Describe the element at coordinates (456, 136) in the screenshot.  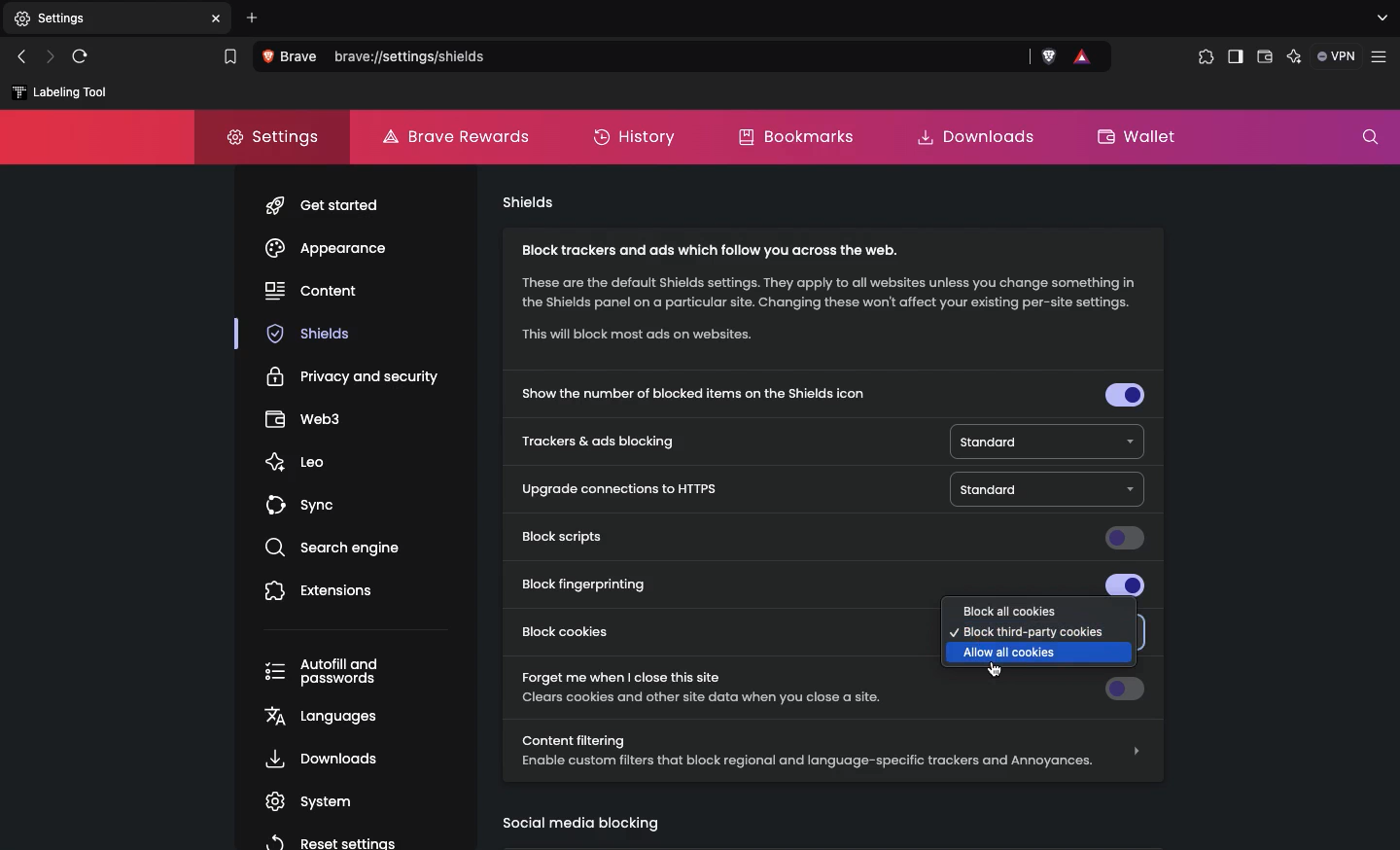
I see `Brave rewards` at that location.